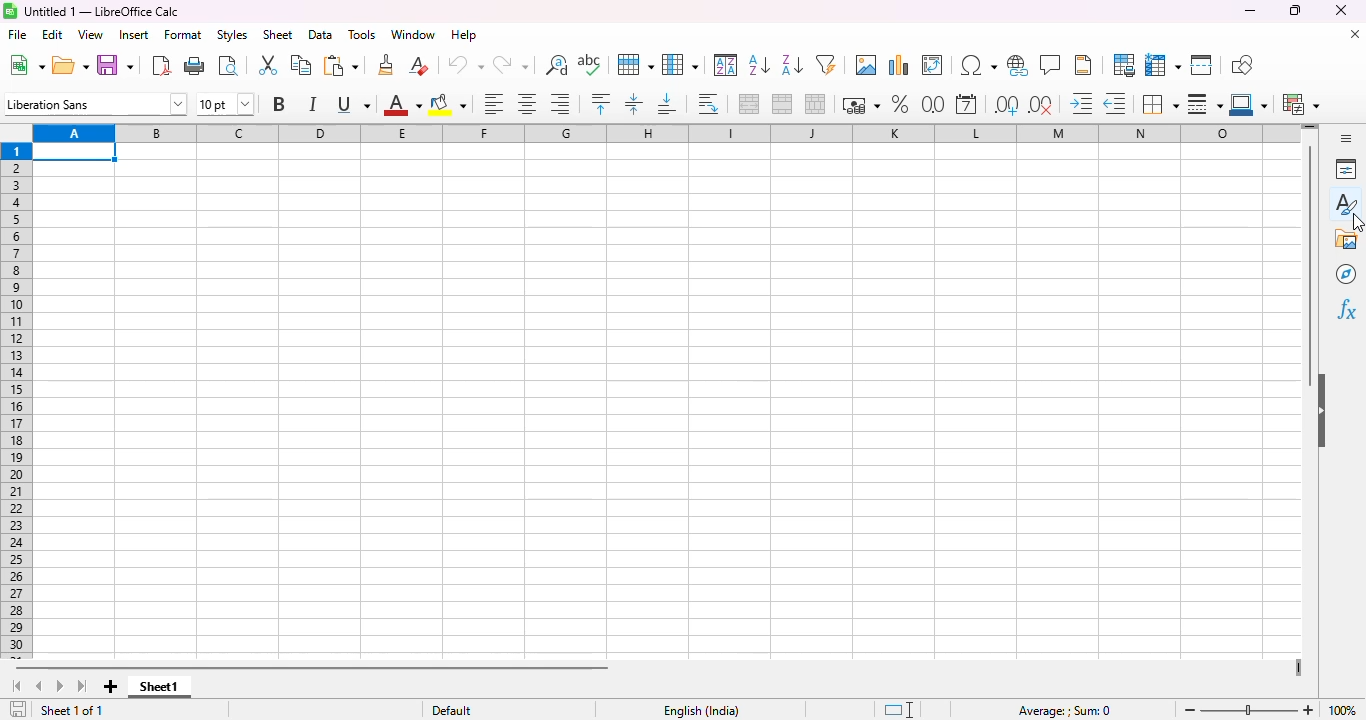 This screenshot has height=720, width=1366. I want to click on export directly as PDF, so click(162, 65).